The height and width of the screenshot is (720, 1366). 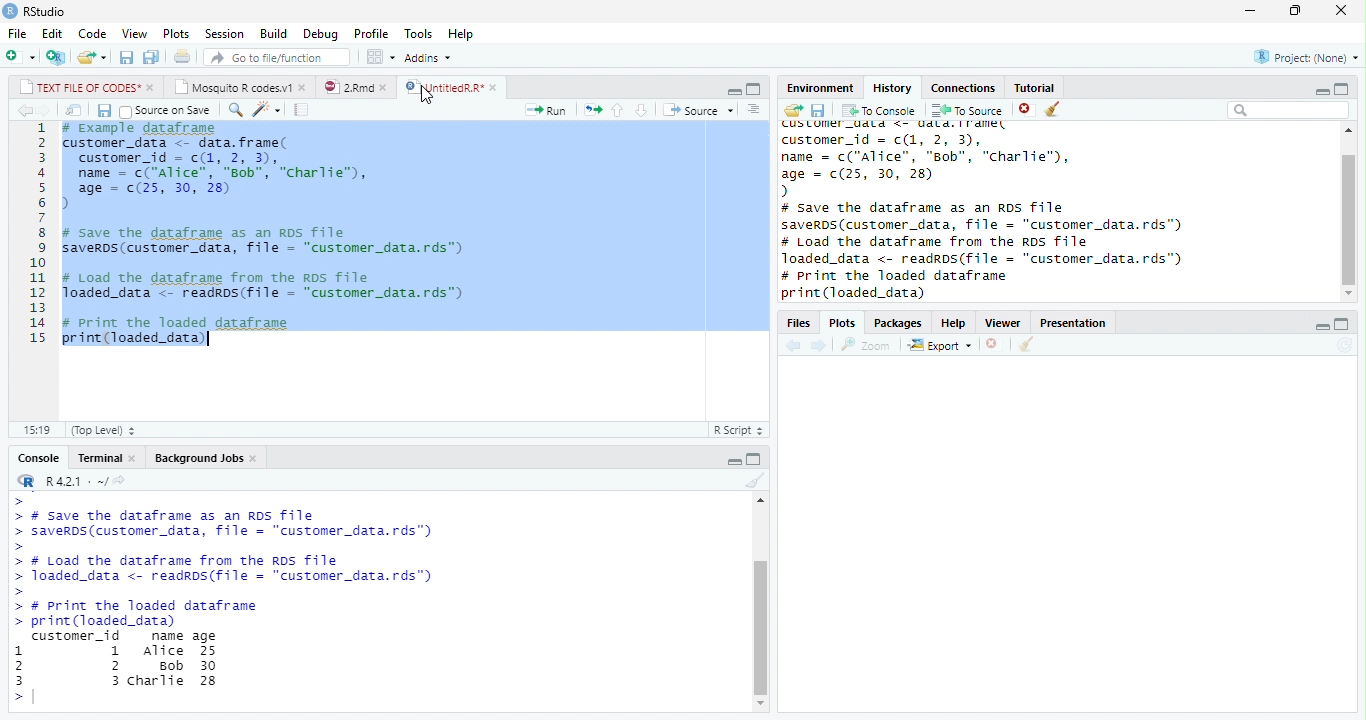 I want to click on Edit, so click(x=52, y=34).